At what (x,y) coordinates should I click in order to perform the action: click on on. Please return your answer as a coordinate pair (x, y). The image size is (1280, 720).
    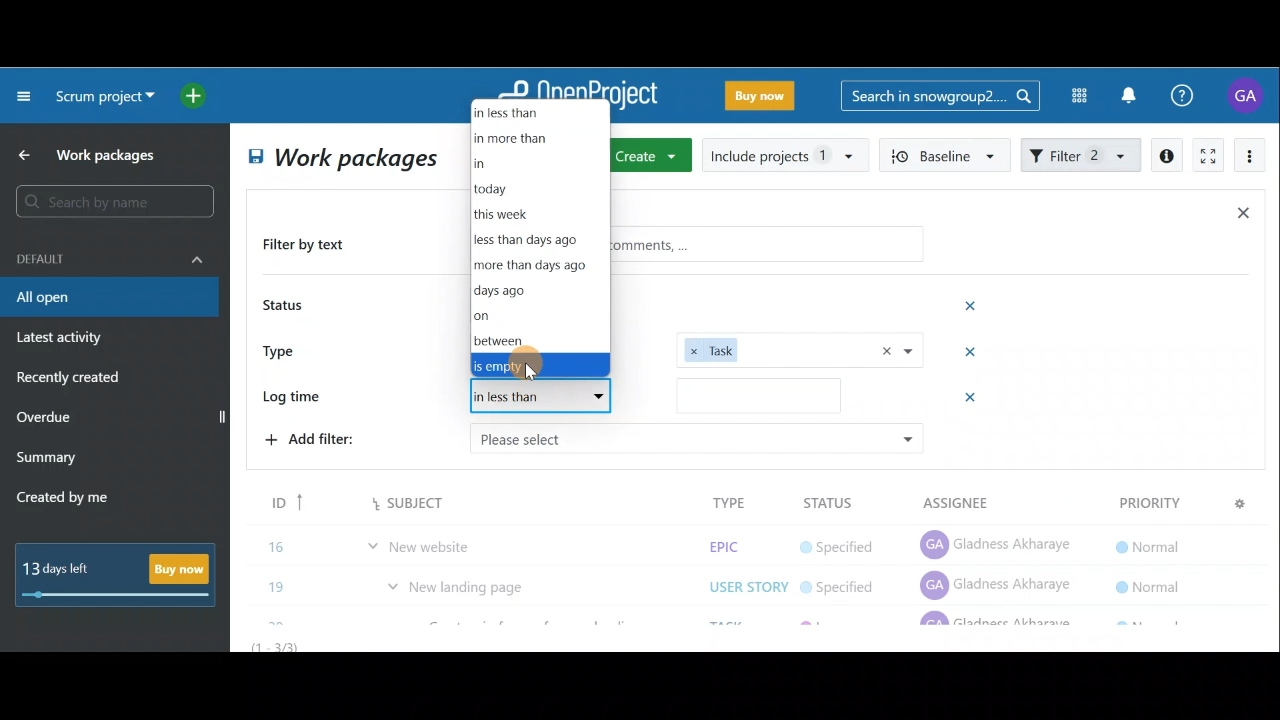
    Looking at the image, I should click on (501, 314).